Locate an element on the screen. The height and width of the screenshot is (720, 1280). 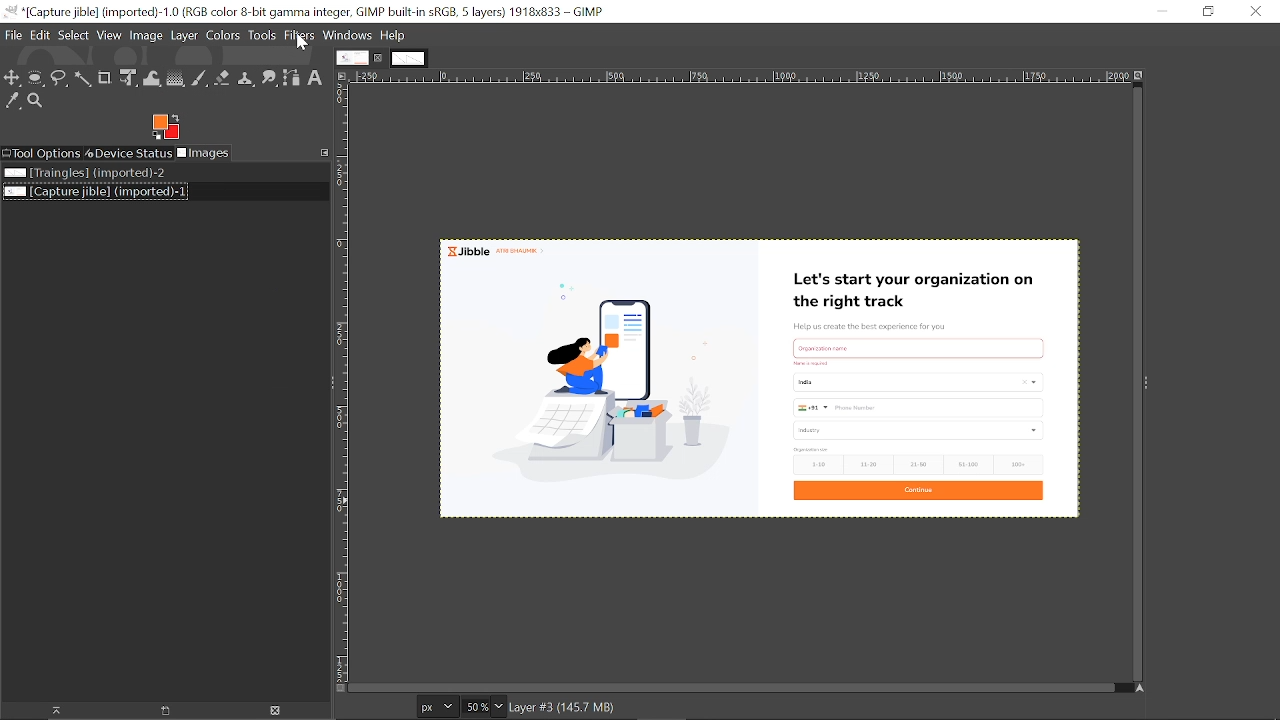
Unified transform tool is located at coordinates (129, 80).